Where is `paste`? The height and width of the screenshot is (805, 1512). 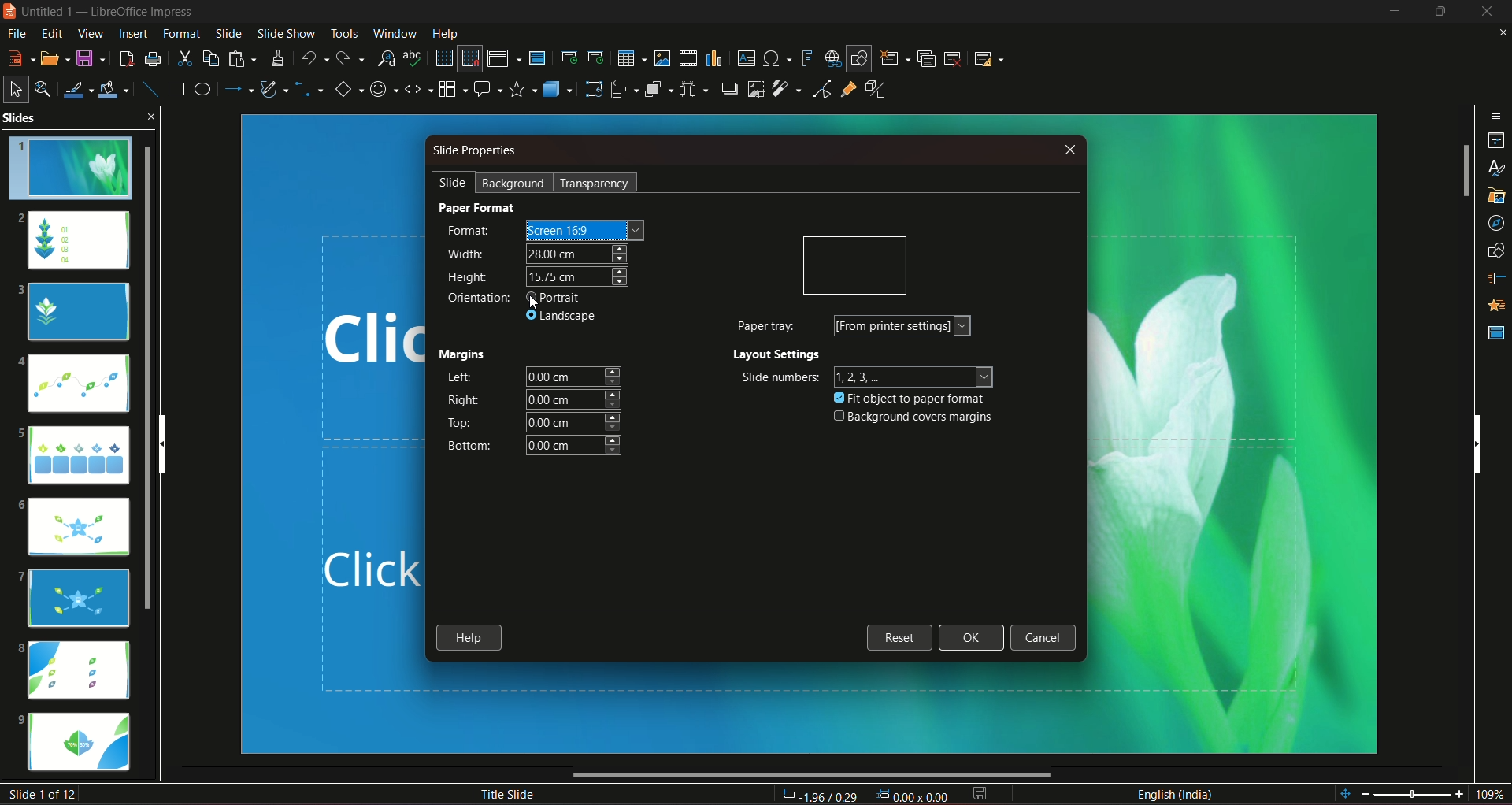
paste is located at coordinates (243, 58).